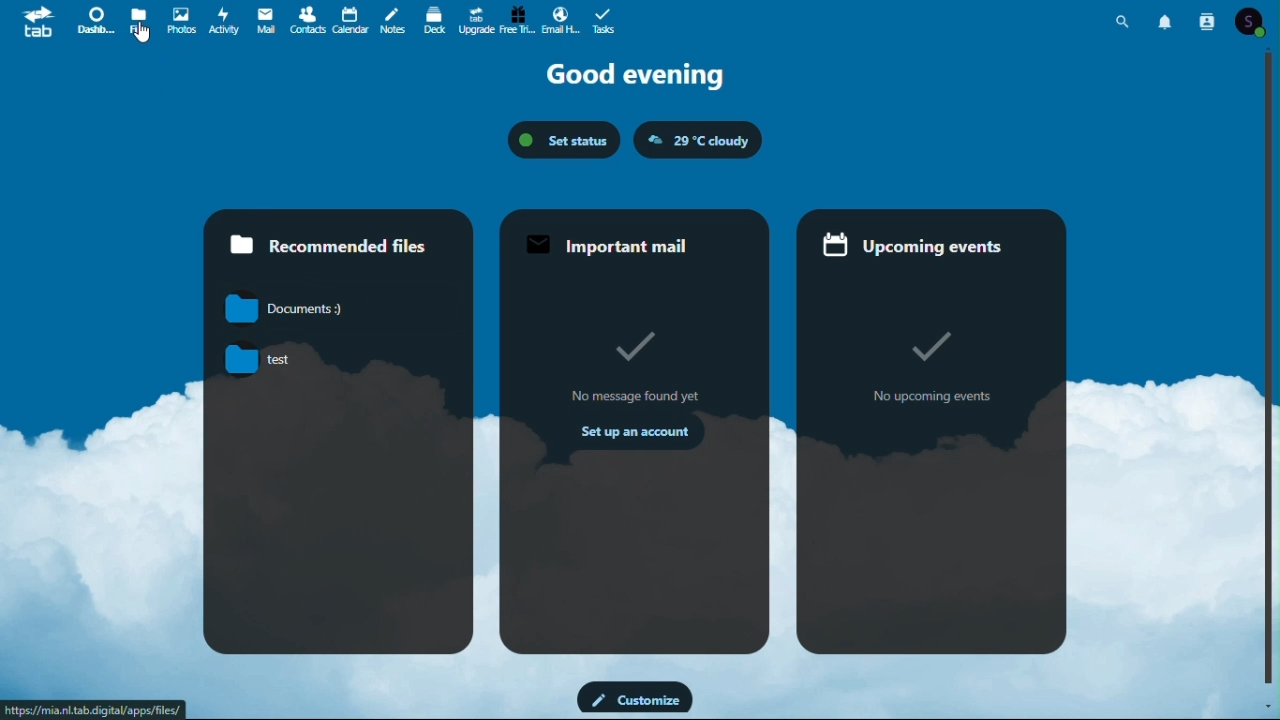  I want to click on Upgrade, so click(475, 17).